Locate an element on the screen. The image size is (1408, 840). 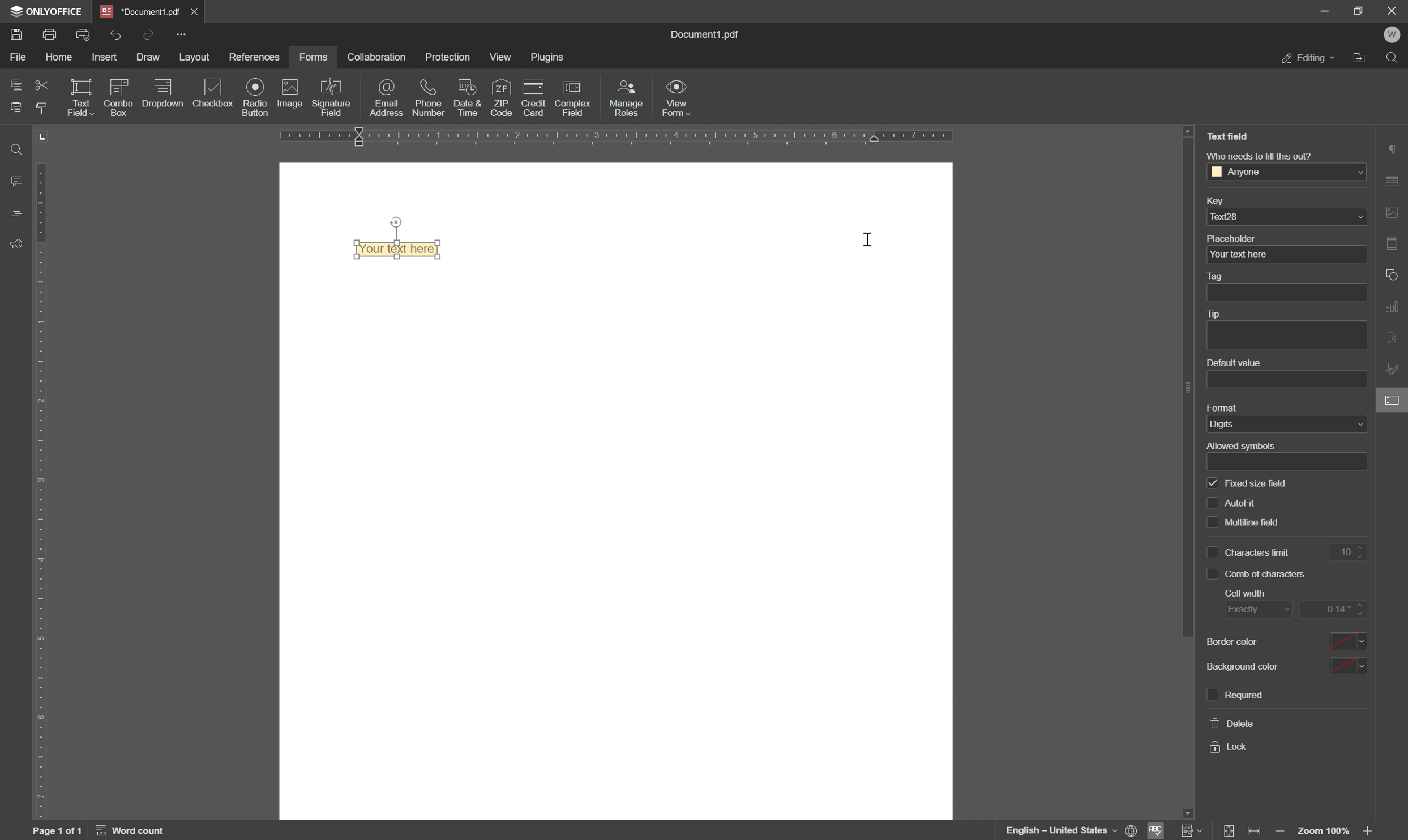
text28 is located at coordinates (1285, 218).